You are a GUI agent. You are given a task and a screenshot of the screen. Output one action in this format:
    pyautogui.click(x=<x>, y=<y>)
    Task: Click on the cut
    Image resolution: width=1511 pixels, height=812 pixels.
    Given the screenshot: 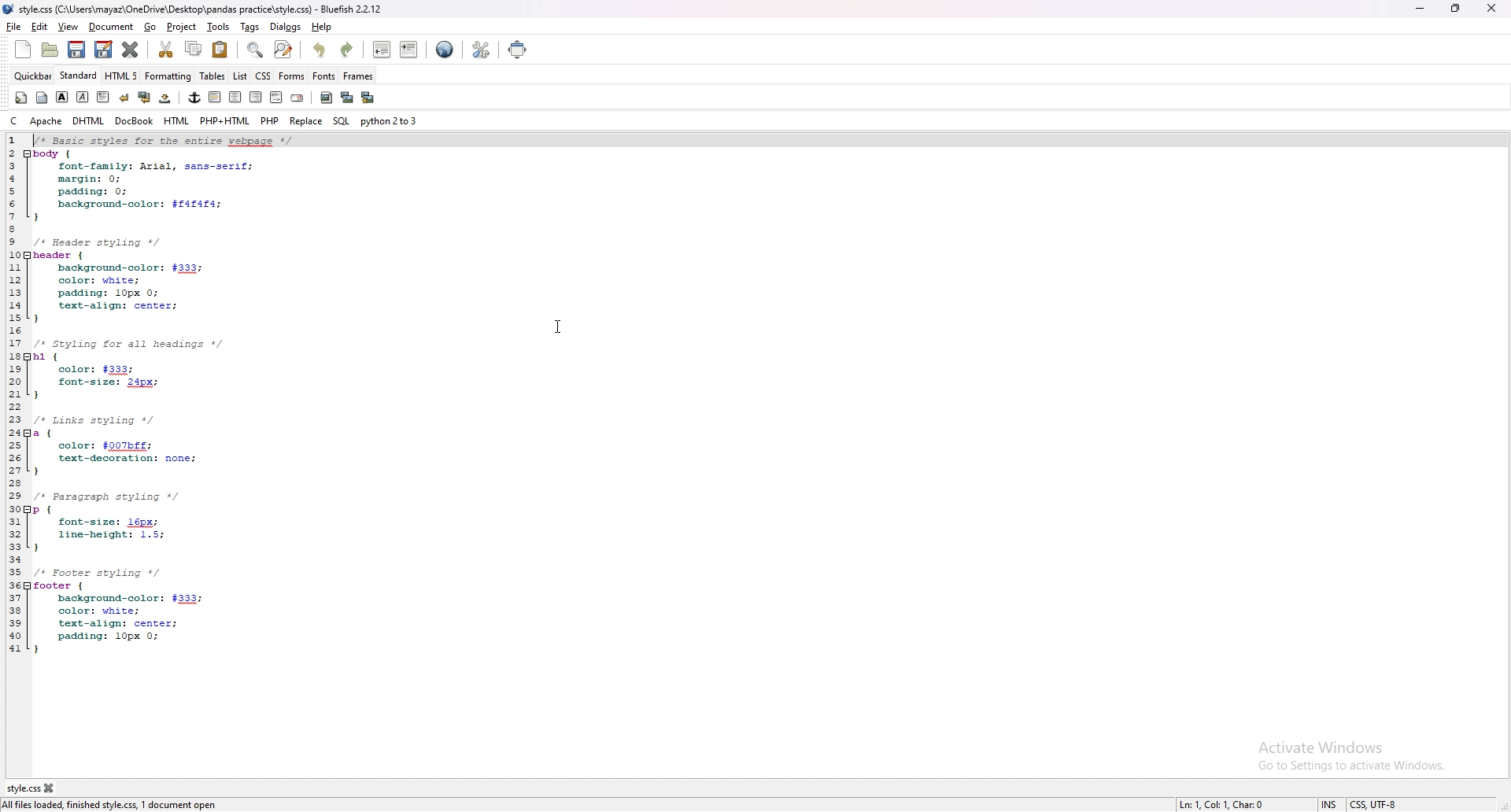 What is the action you would take?
    pyautogui.click(x=167, y=49)
    